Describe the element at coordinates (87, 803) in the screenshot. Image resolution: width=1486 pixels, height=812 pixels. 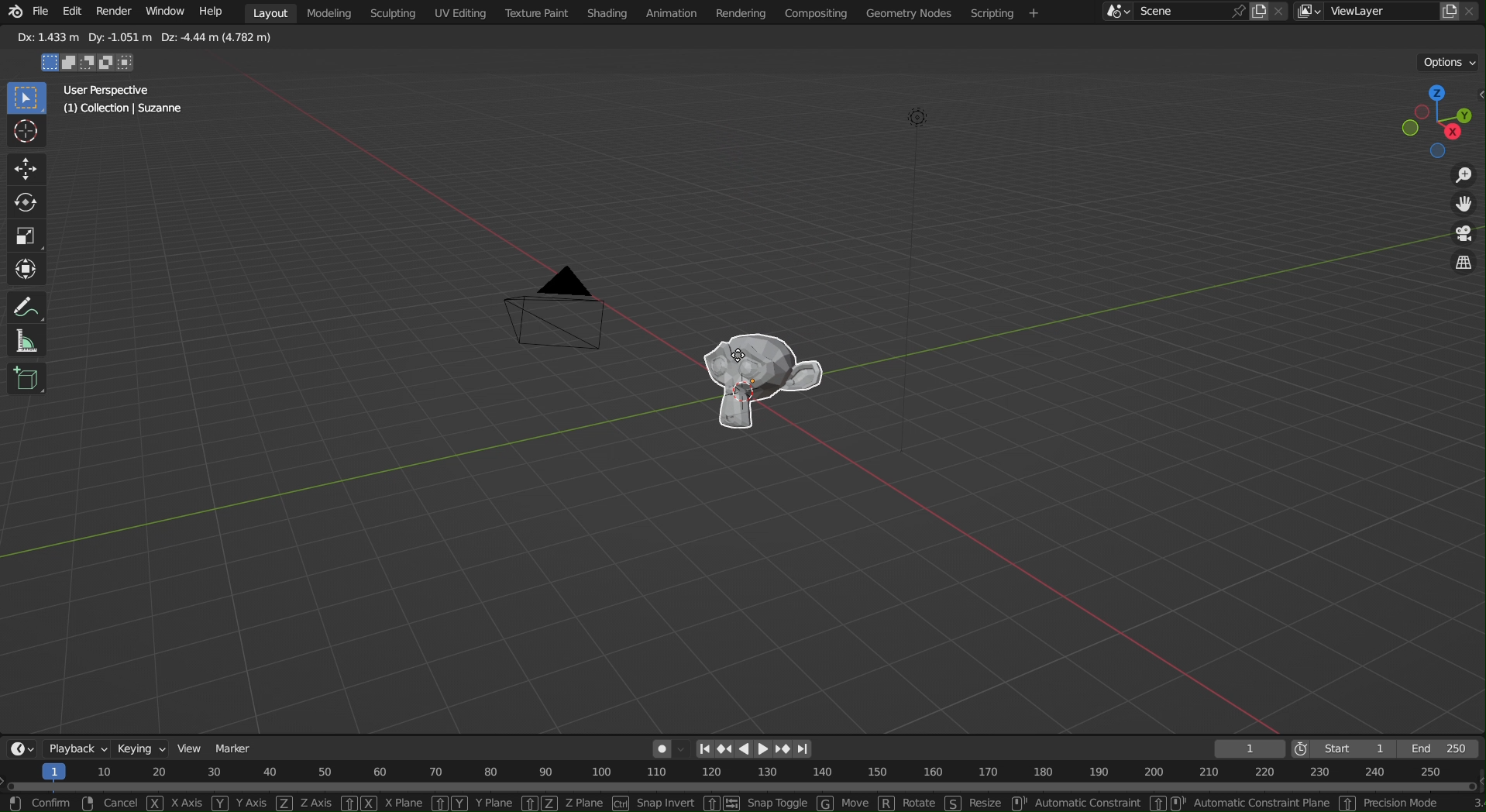
I see `right click` at that location.